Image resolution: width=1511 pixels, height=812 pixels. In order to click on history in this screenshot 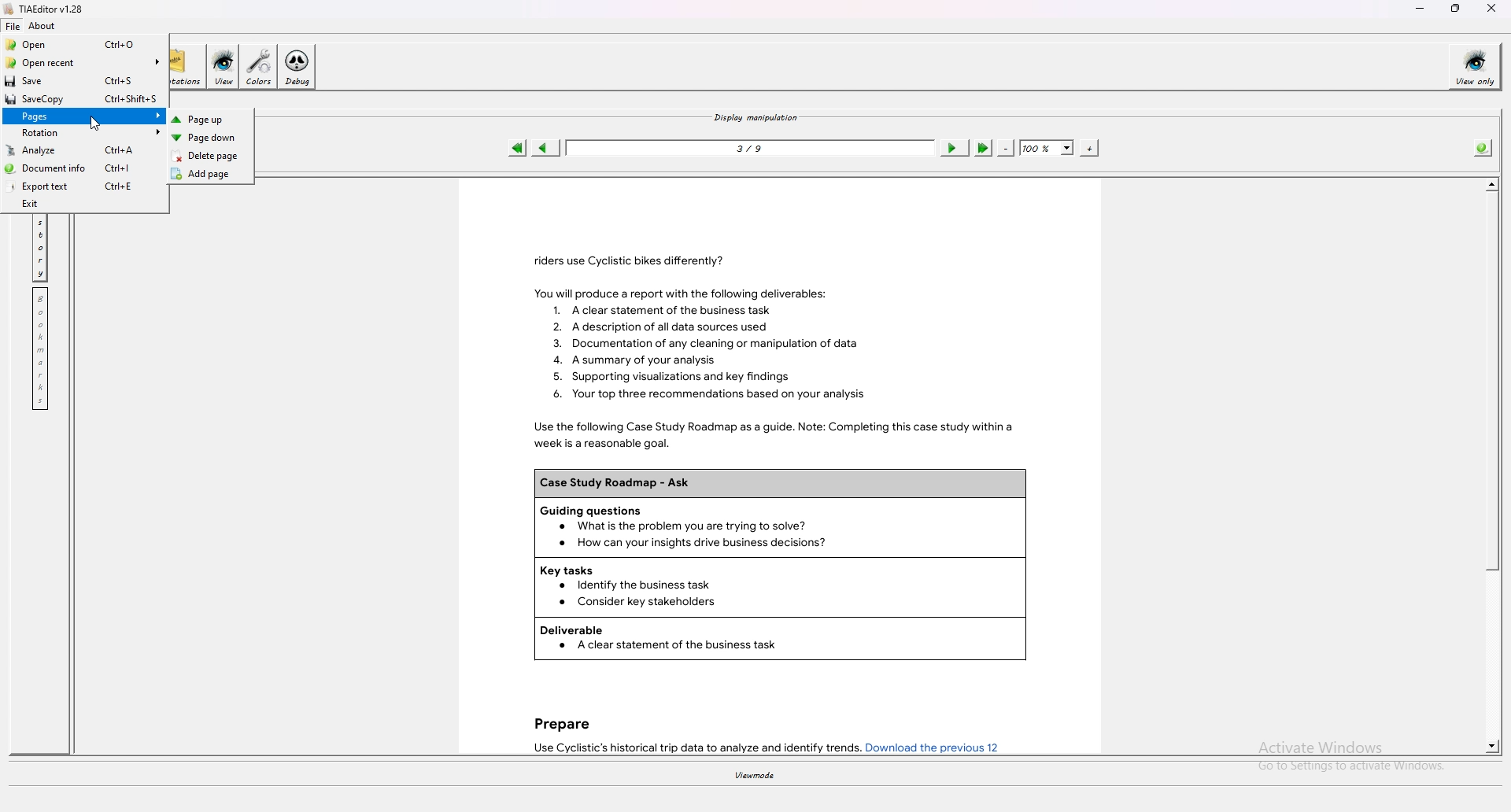, I will do `click(42, 248)`.